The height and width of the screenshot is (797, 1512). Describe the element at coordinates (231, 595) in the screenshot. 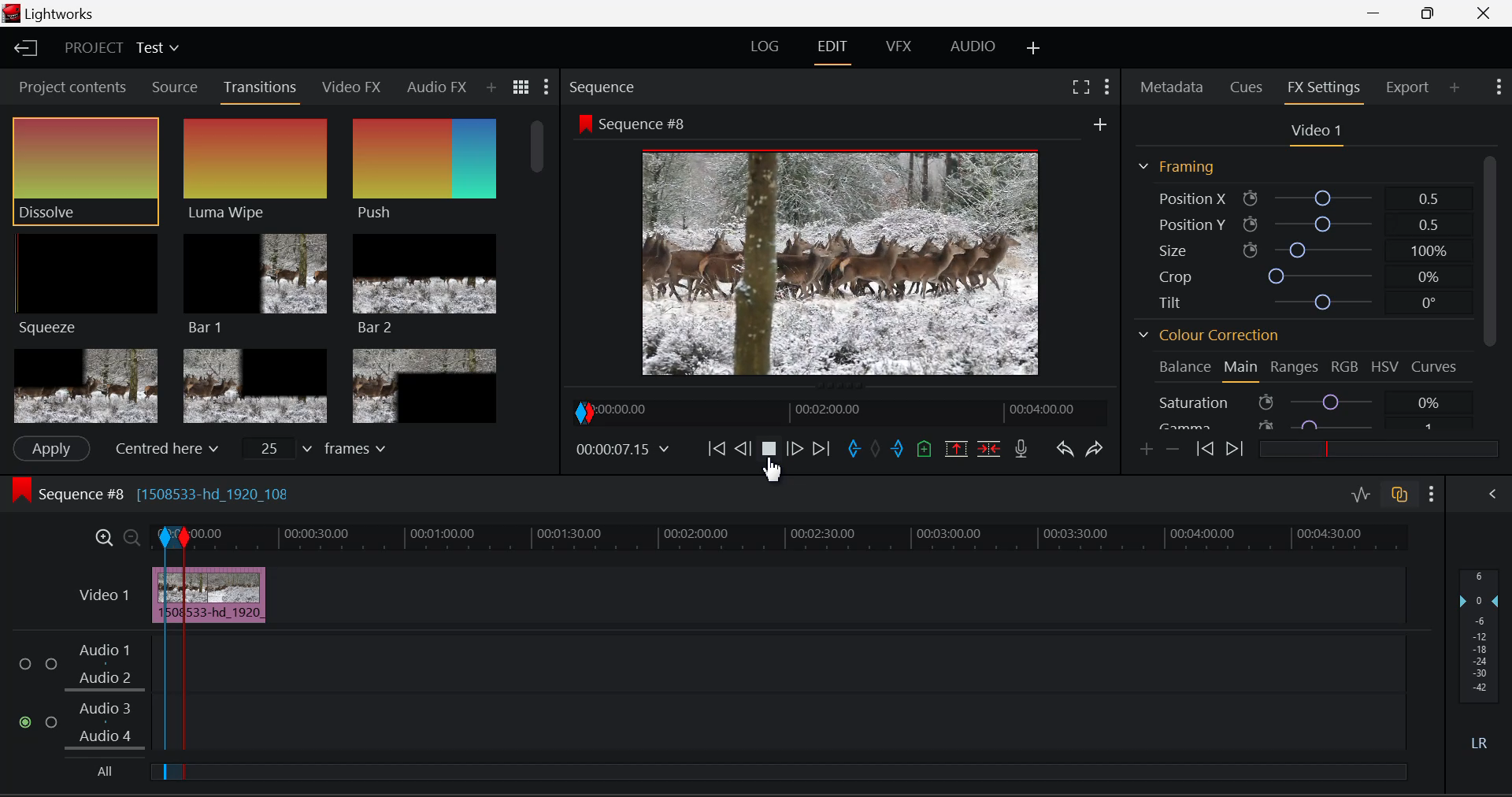

I see `Clip Inserted in Timeline` at that location.